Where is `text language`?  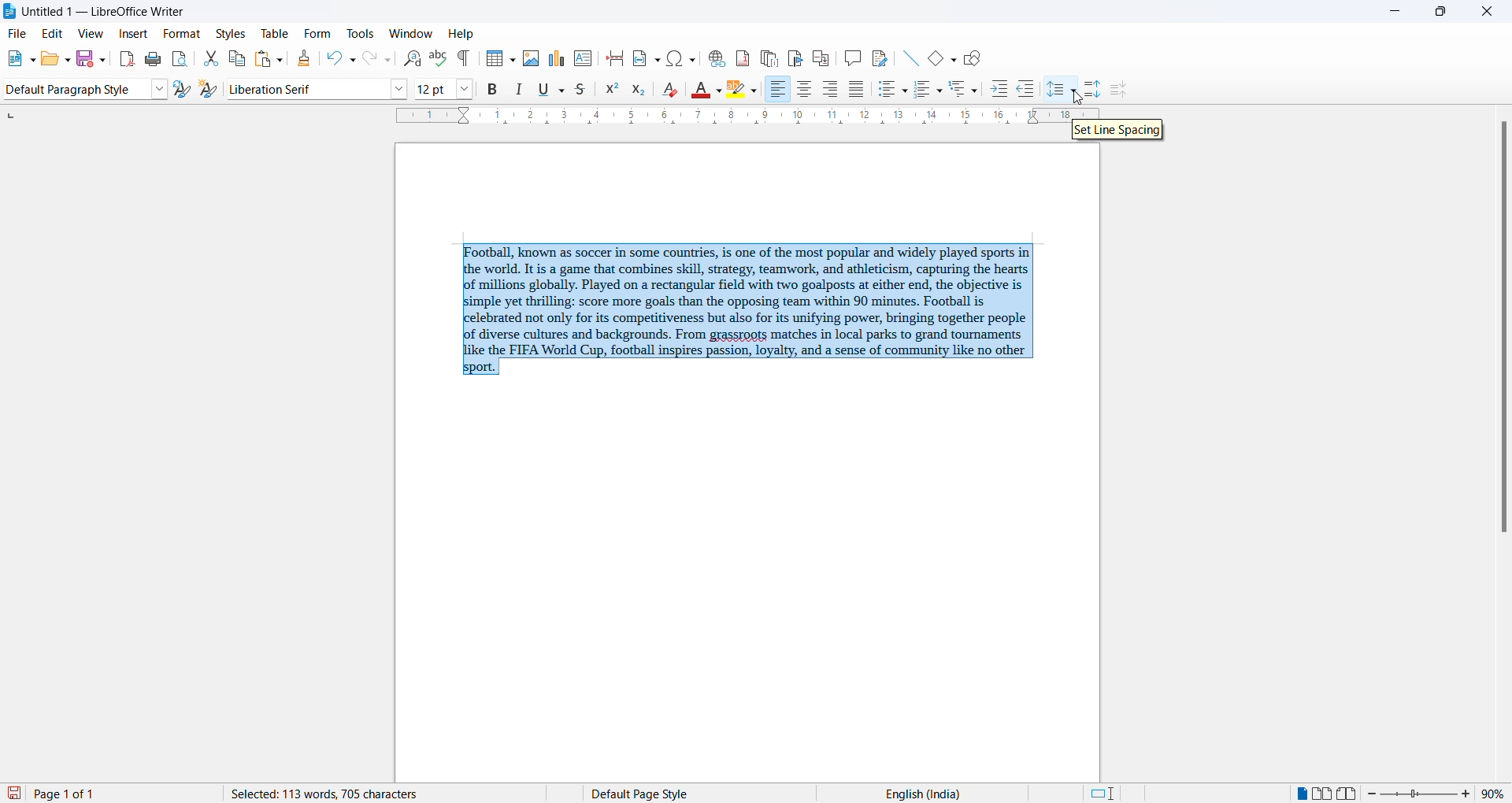 text language is located at coordinates (934, 794).